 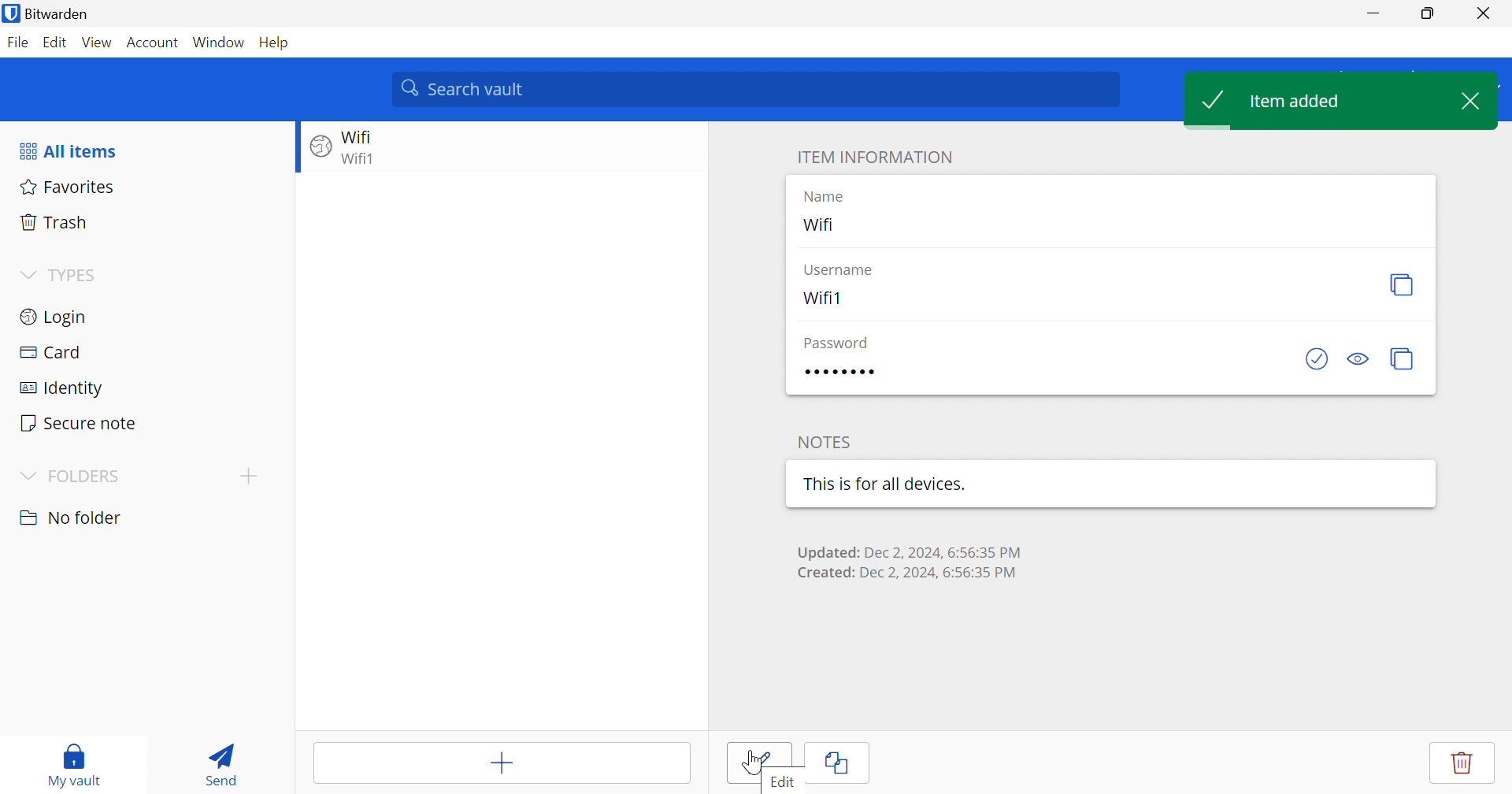 What do you see at coordinates (55, 315) in the screenshot?
I see `Login` at bounding box center [55, 315].